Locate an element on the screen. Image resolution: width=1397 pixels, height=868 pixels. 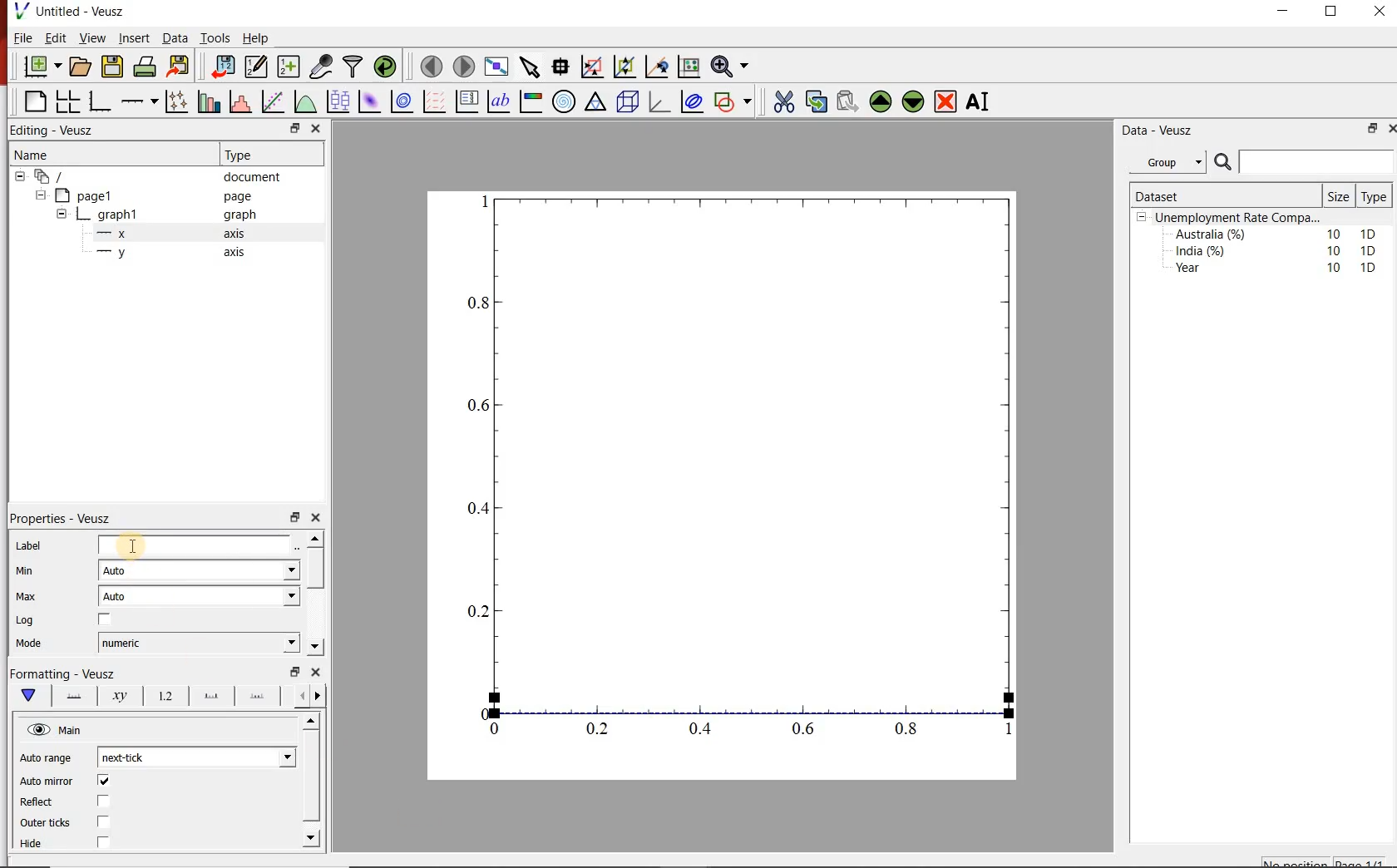
export document is located at coordinates (180, 65).